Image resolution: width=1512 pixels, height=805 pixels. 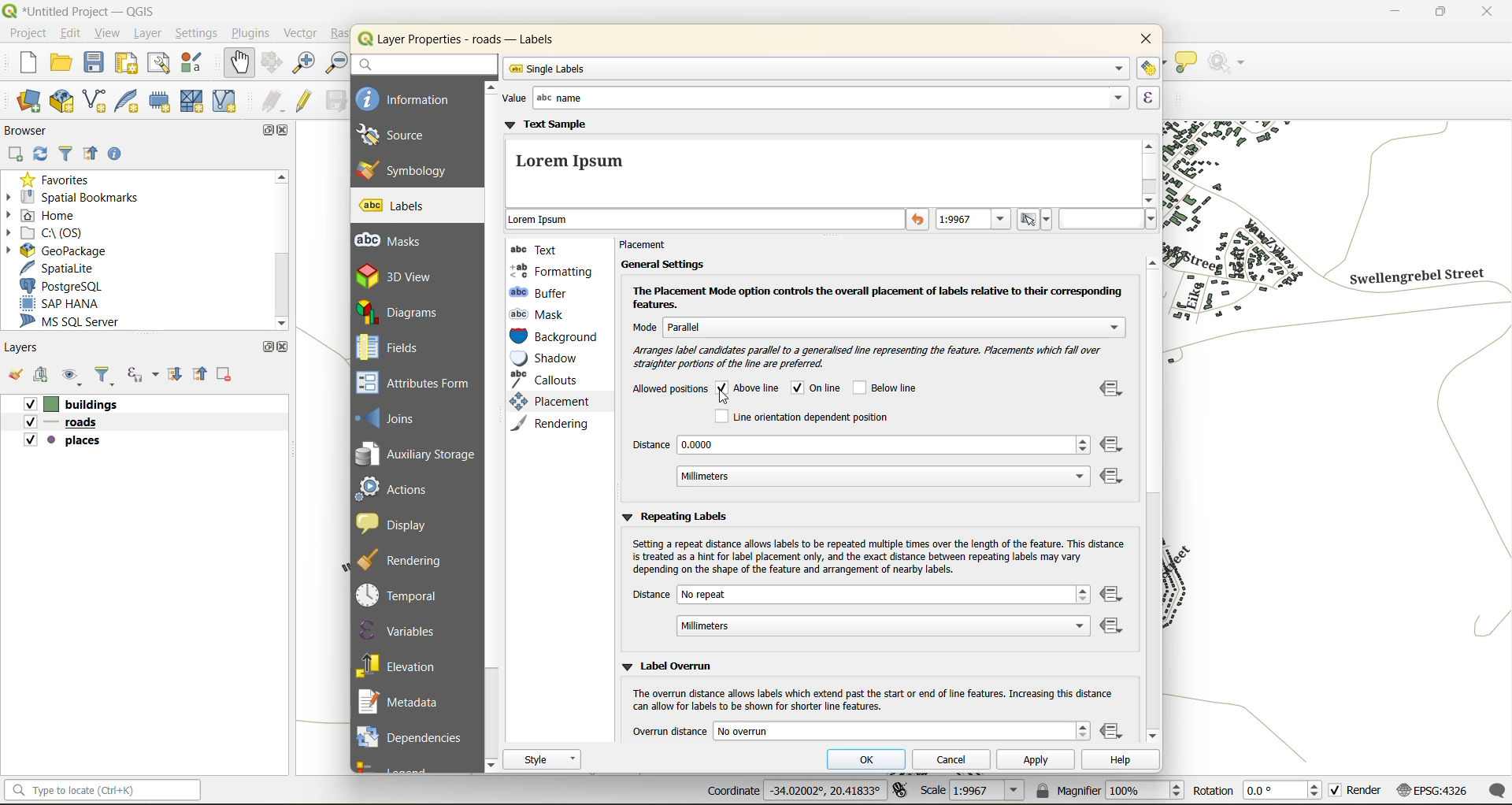 I want to click on formatting, so click(x=552, y=271).